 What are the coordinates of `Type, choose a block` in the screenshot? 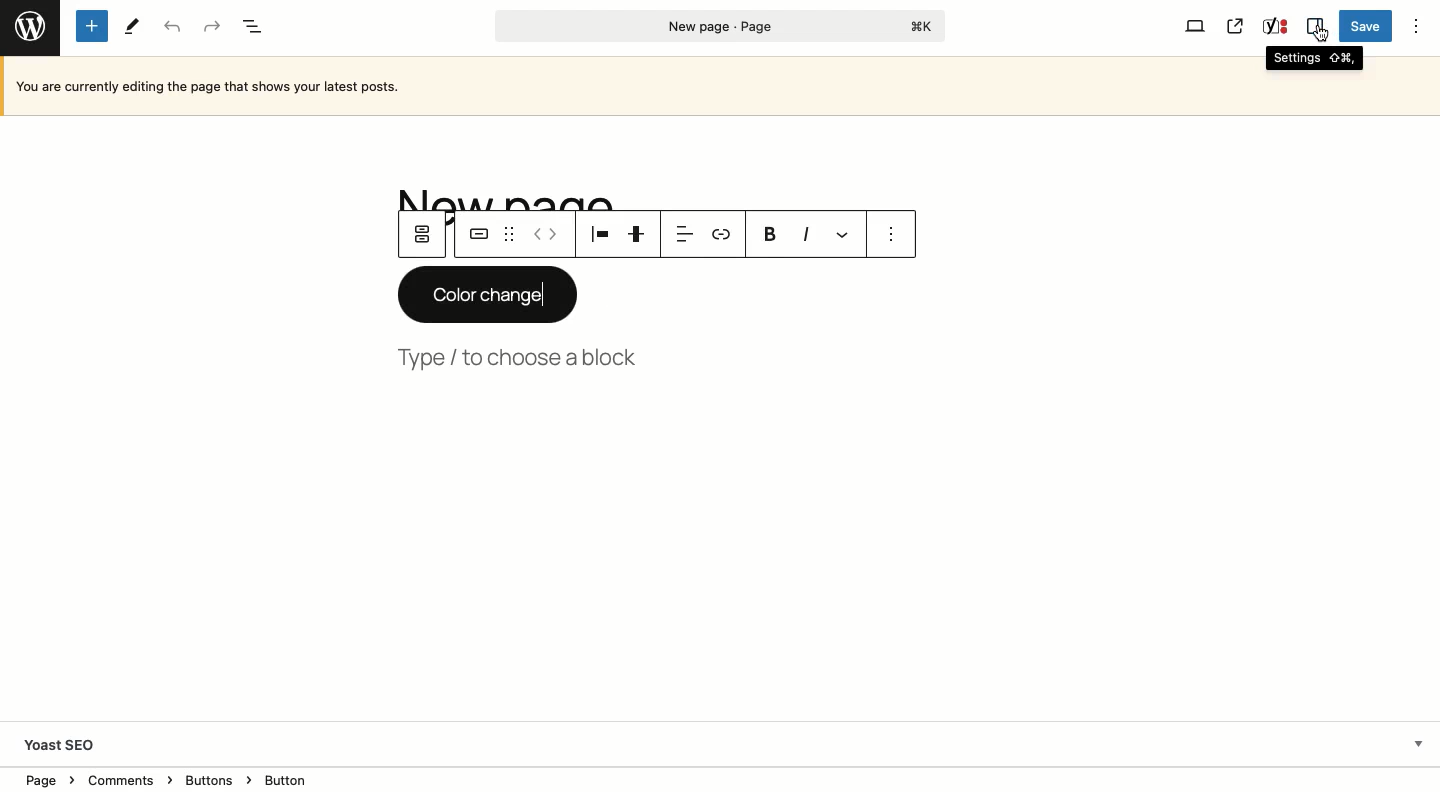 It's located at (522, 358).